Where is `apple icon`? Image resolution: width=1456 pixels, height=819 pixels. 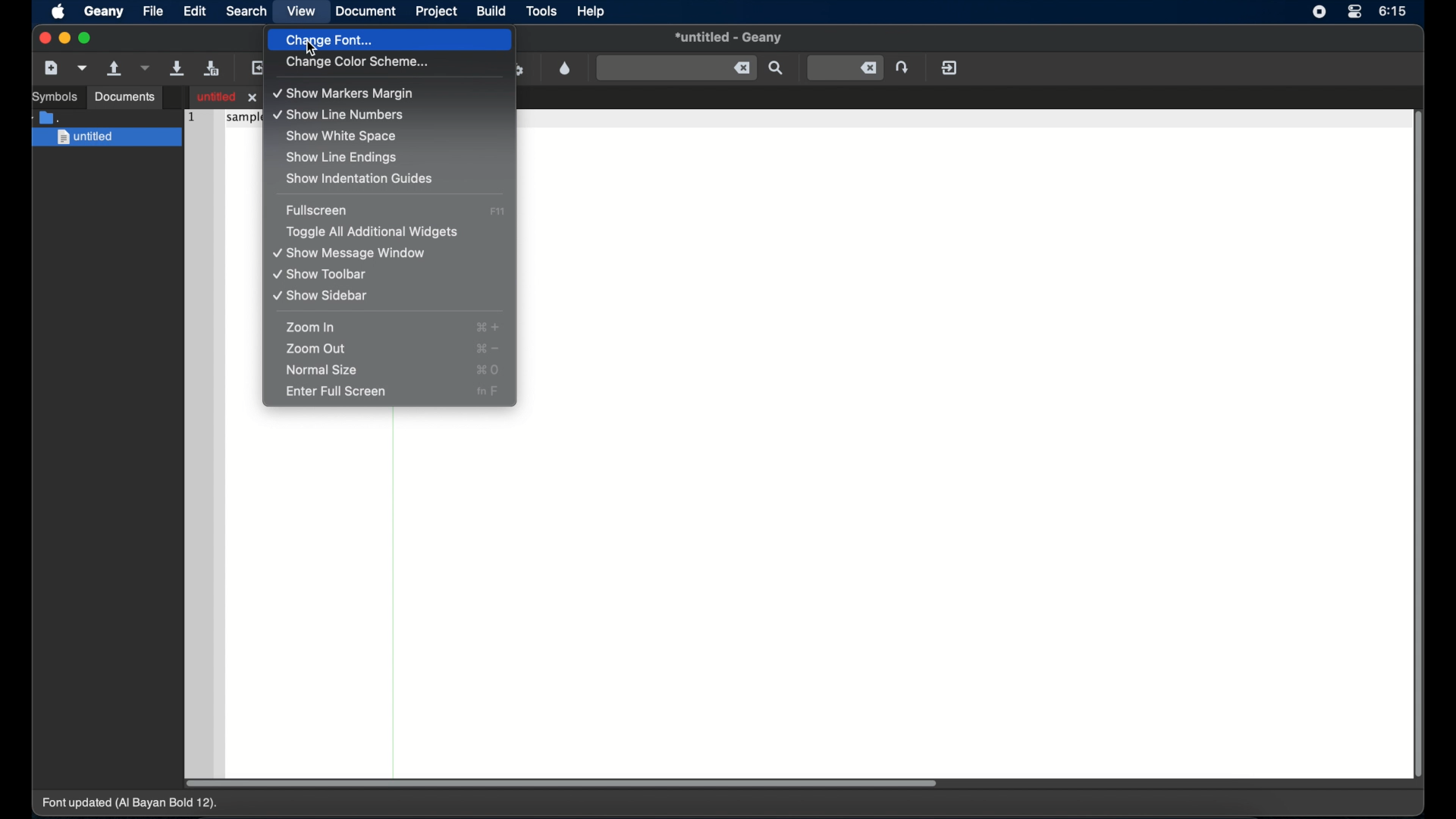 apple icon is located at coordinates (58, 13).